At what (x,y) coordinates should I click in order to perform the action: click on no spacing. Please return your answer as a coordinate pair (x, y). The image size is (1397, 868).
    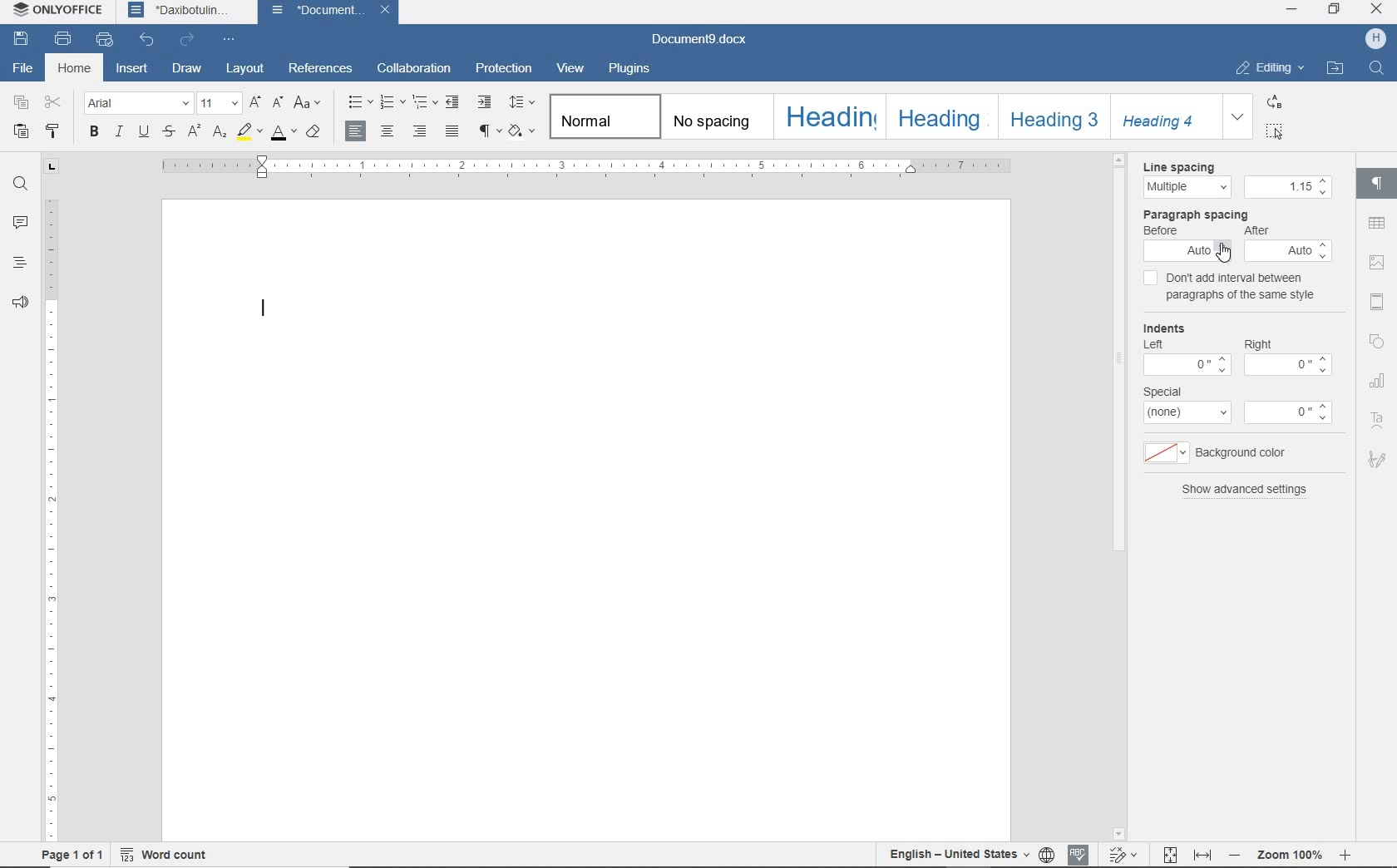
    Looking at the image, I should click on (715, 118).